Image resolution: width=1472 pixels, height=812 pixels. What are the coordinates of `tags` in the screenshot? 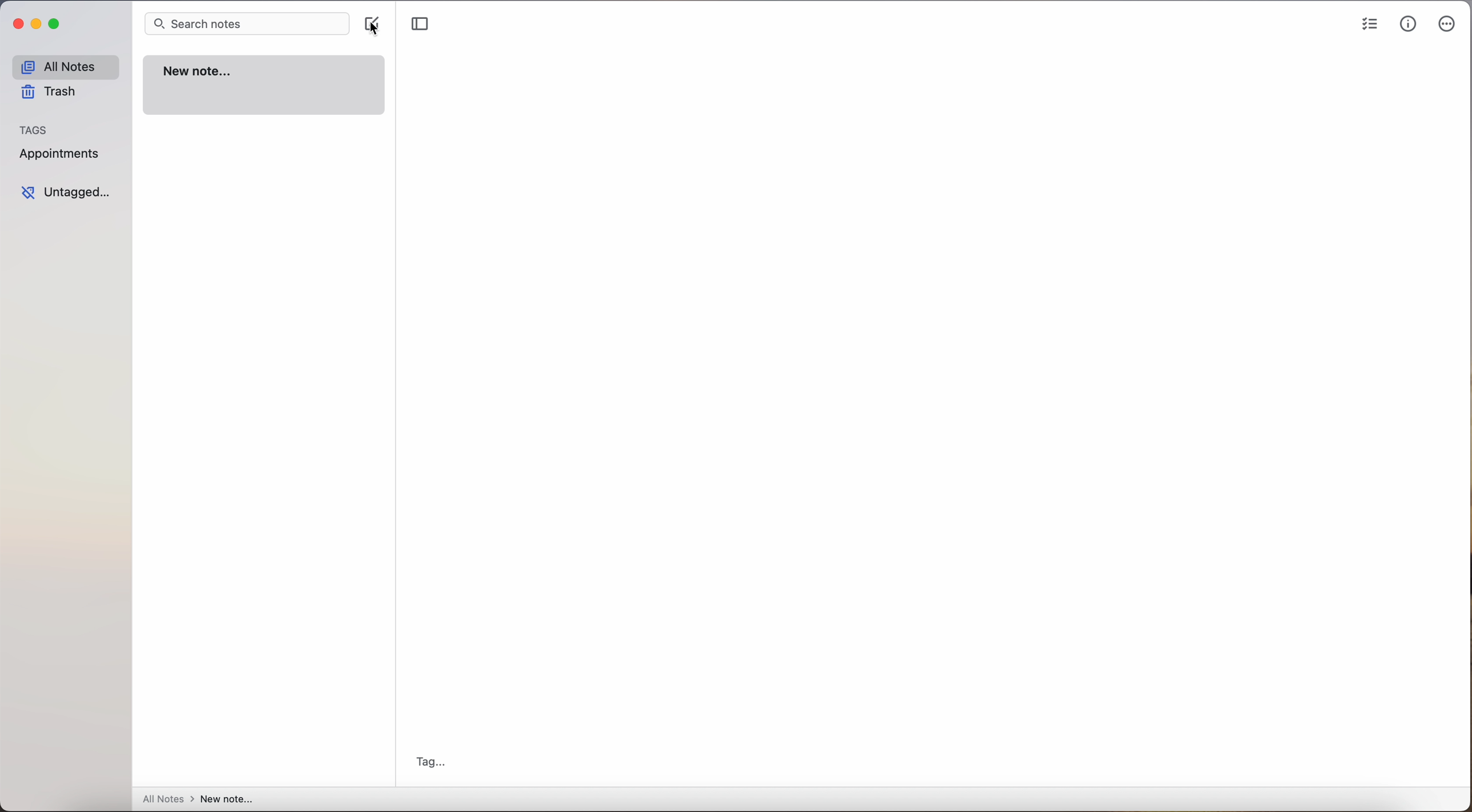 It's located at (34, 129).